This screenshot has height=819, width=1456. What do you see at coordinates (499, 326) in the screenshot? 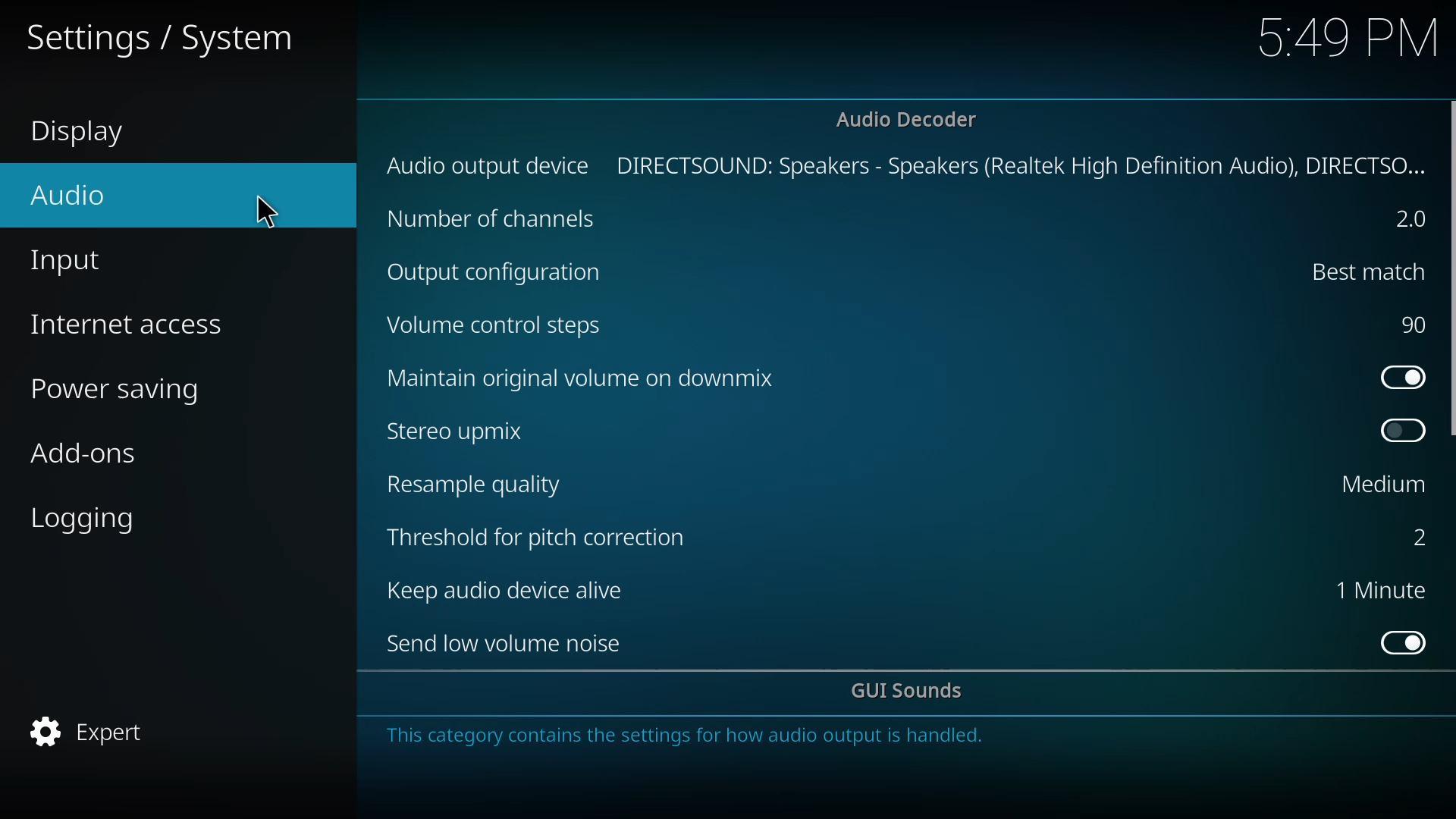
I see `volume control steps` at bounding box center [499, 326].